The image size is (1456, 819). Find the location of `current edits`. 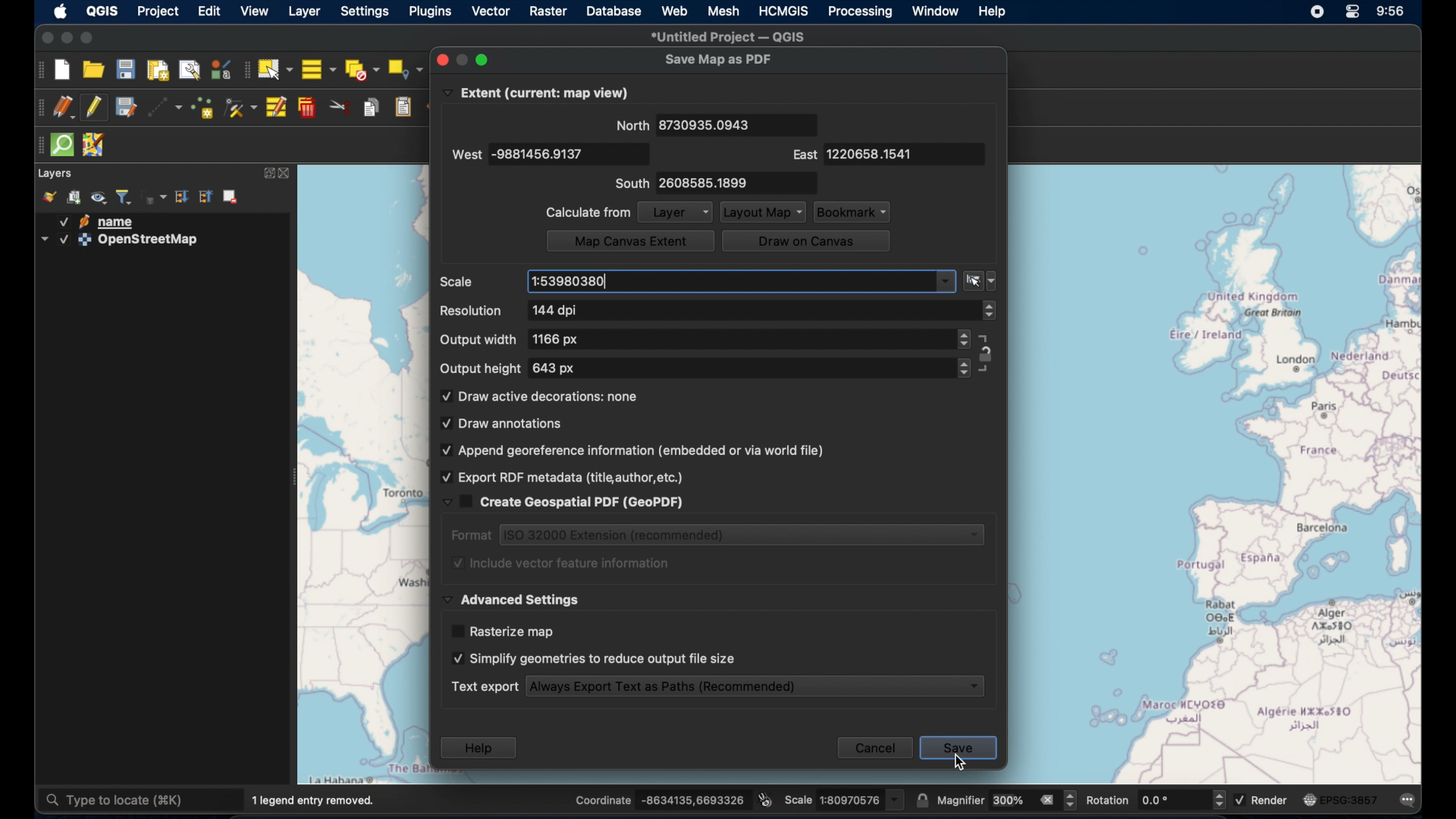

current edits is located at coordinates (64, 108).